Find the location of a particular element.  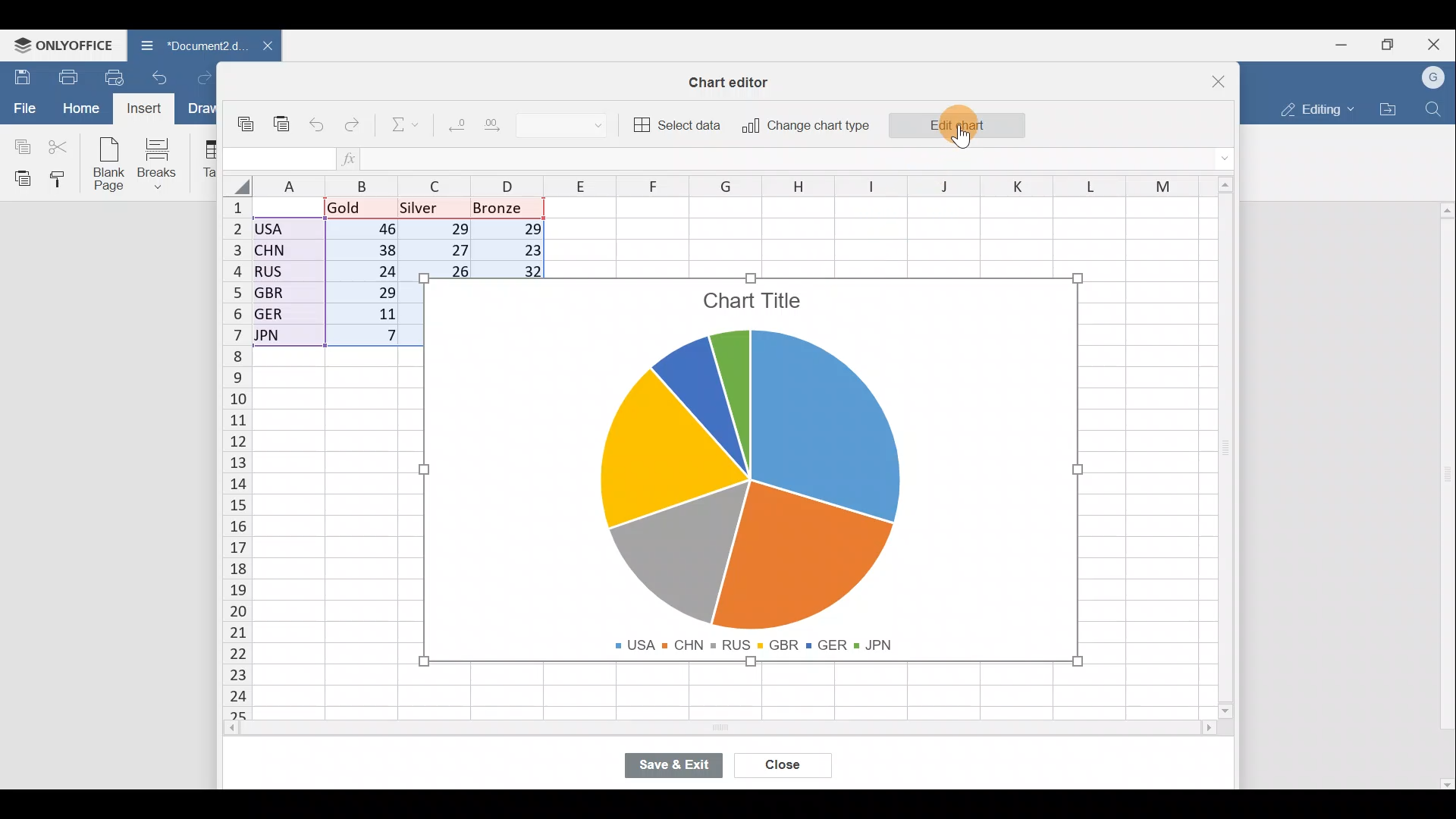

Scroll bar is located at coordinates (1232, 452).